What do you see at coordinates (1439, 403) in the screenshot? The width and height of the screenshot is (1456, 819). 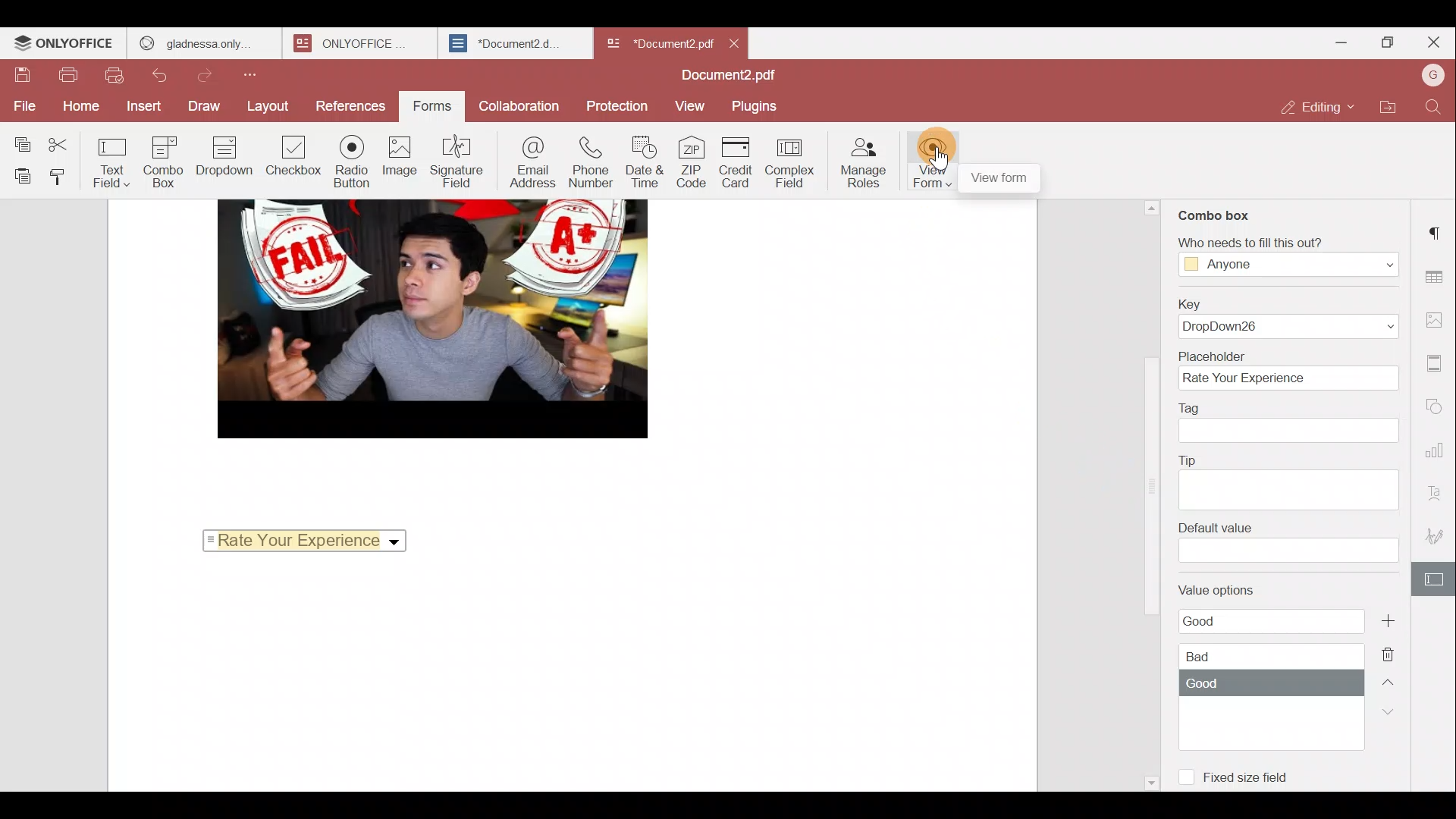 I see `Shapes settings` at bounding box center [1439, 403].